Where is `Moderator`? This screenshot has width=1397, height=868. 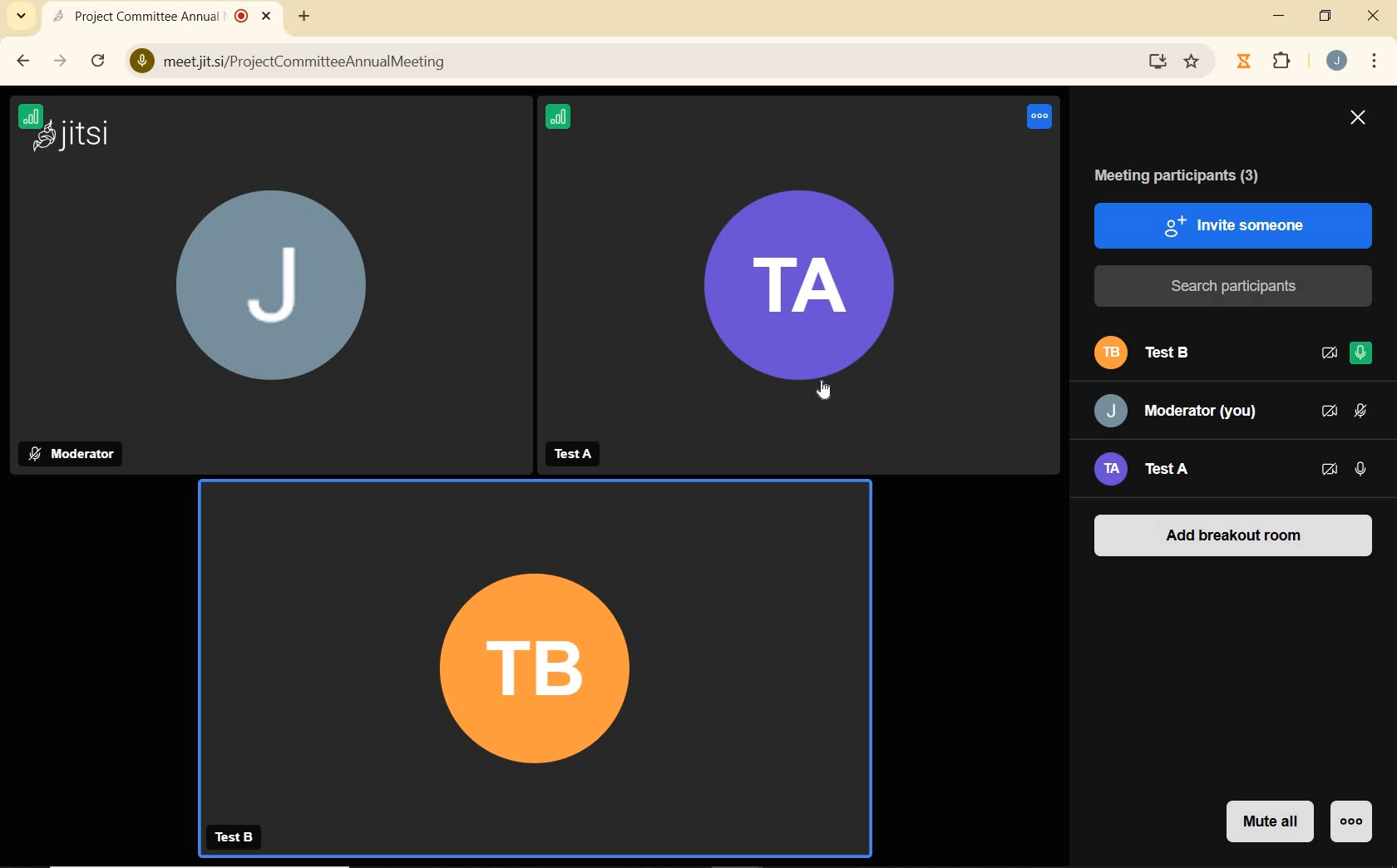 Moderator is located at coordinates (72, 453).